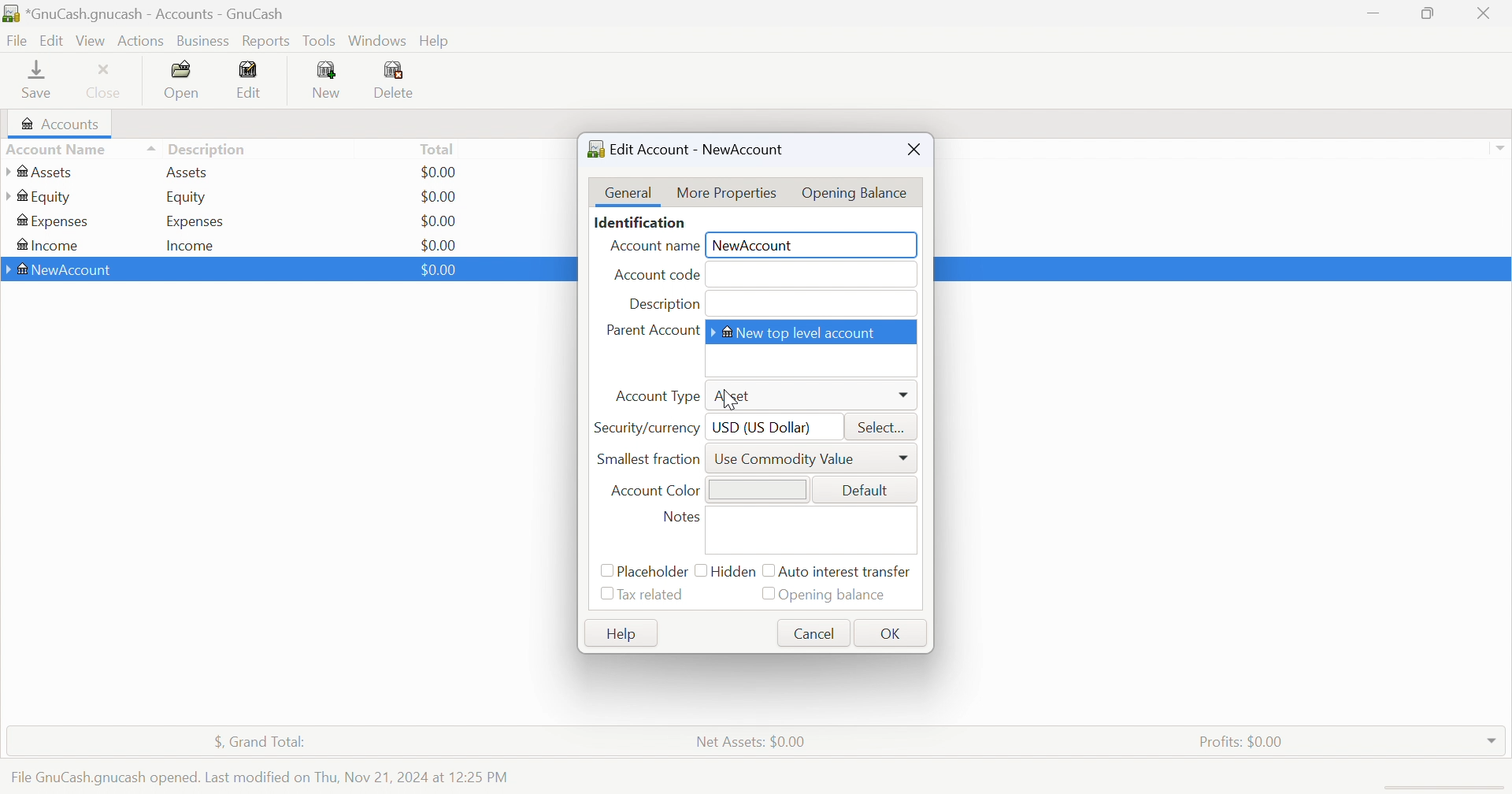 The height and width of the screenshot is (794, 1512). What do you see at coordinates (17, 42) in the screenshot?
I see `File` at bounding box center [17, 42].